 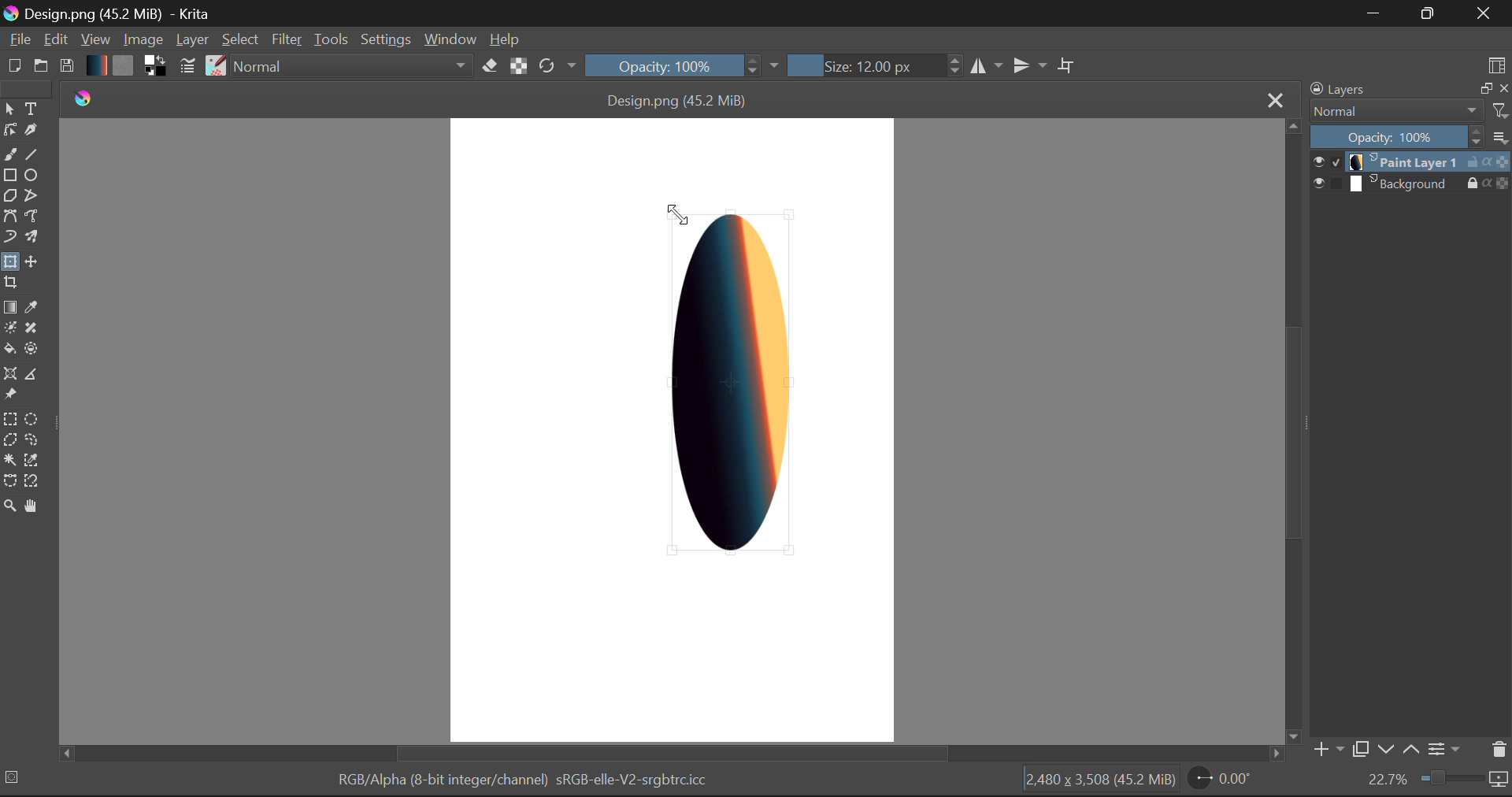 I want to click on Gradient Fill, so click(x=9, y=306).